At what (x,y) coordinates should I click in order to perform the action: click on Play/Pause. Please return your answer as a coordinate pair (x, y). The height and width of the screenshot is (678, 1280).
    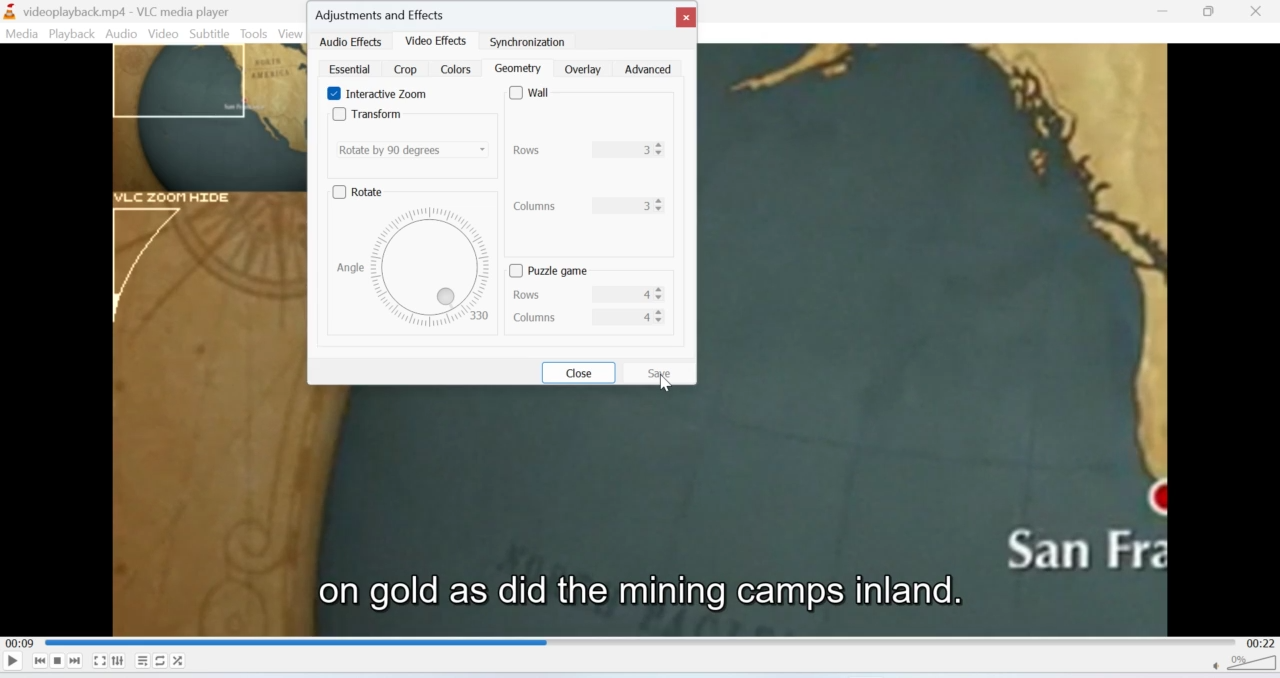
    Looking at the image, I should click on (13, 660).